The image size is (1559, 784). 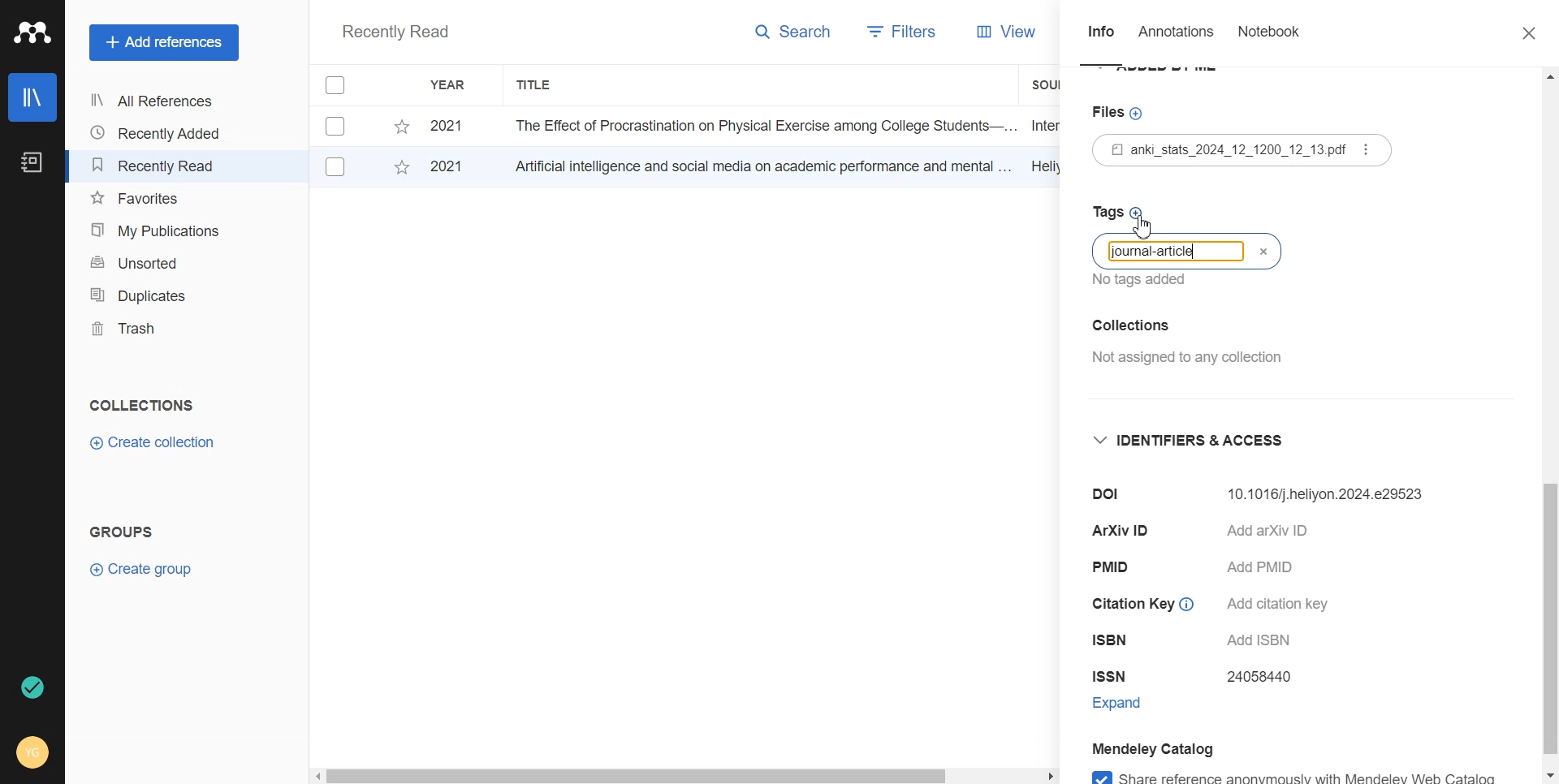 I want to click on Journal Text, so click(x=1158, y=253).